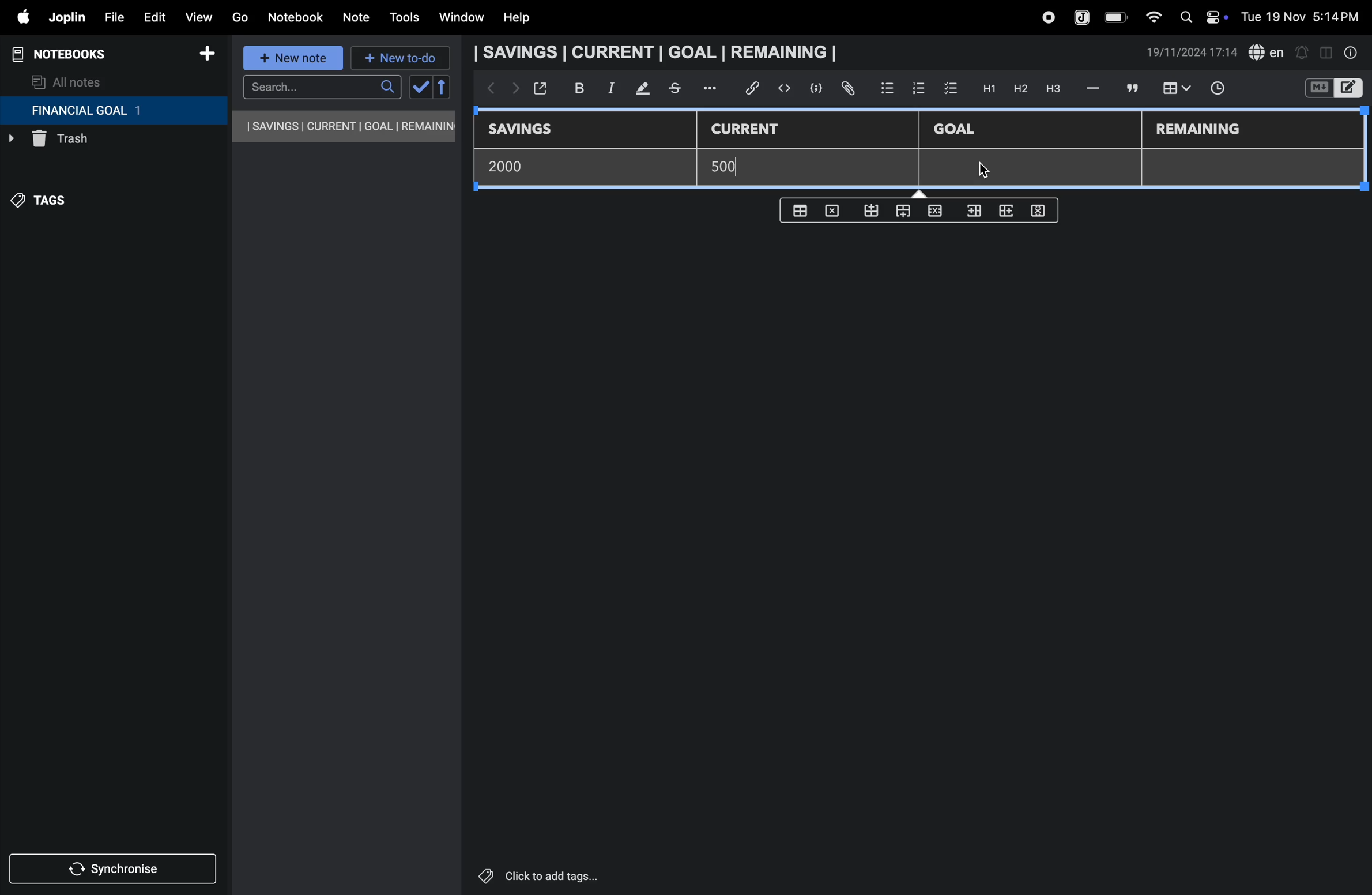 Image resolution: width=1372 pixels, height=895 pixels. I want to click on comment, so click(1130, 88).